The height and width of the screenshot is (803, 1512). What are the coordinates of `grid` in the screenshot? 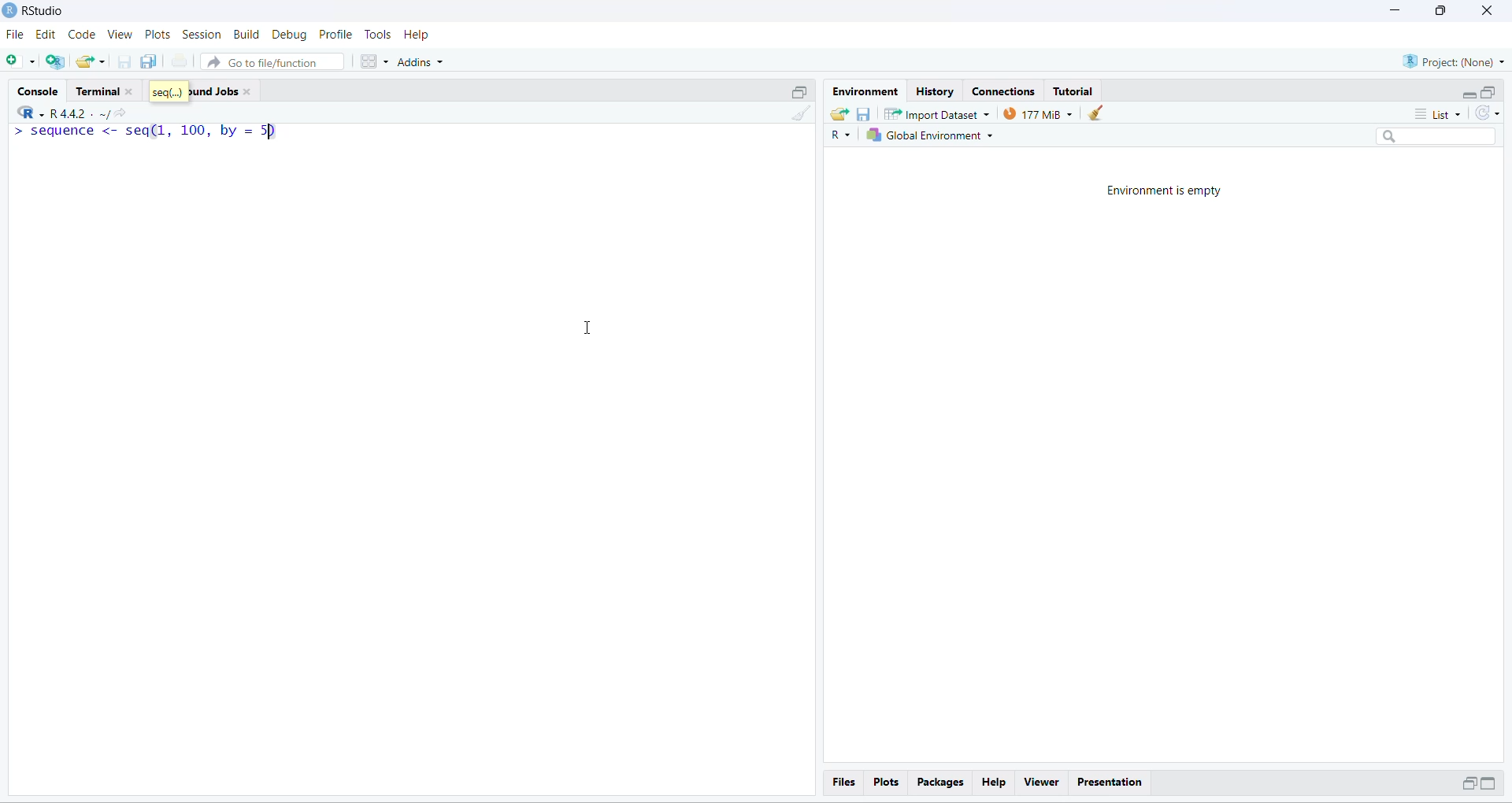 It's located at (376, 62).